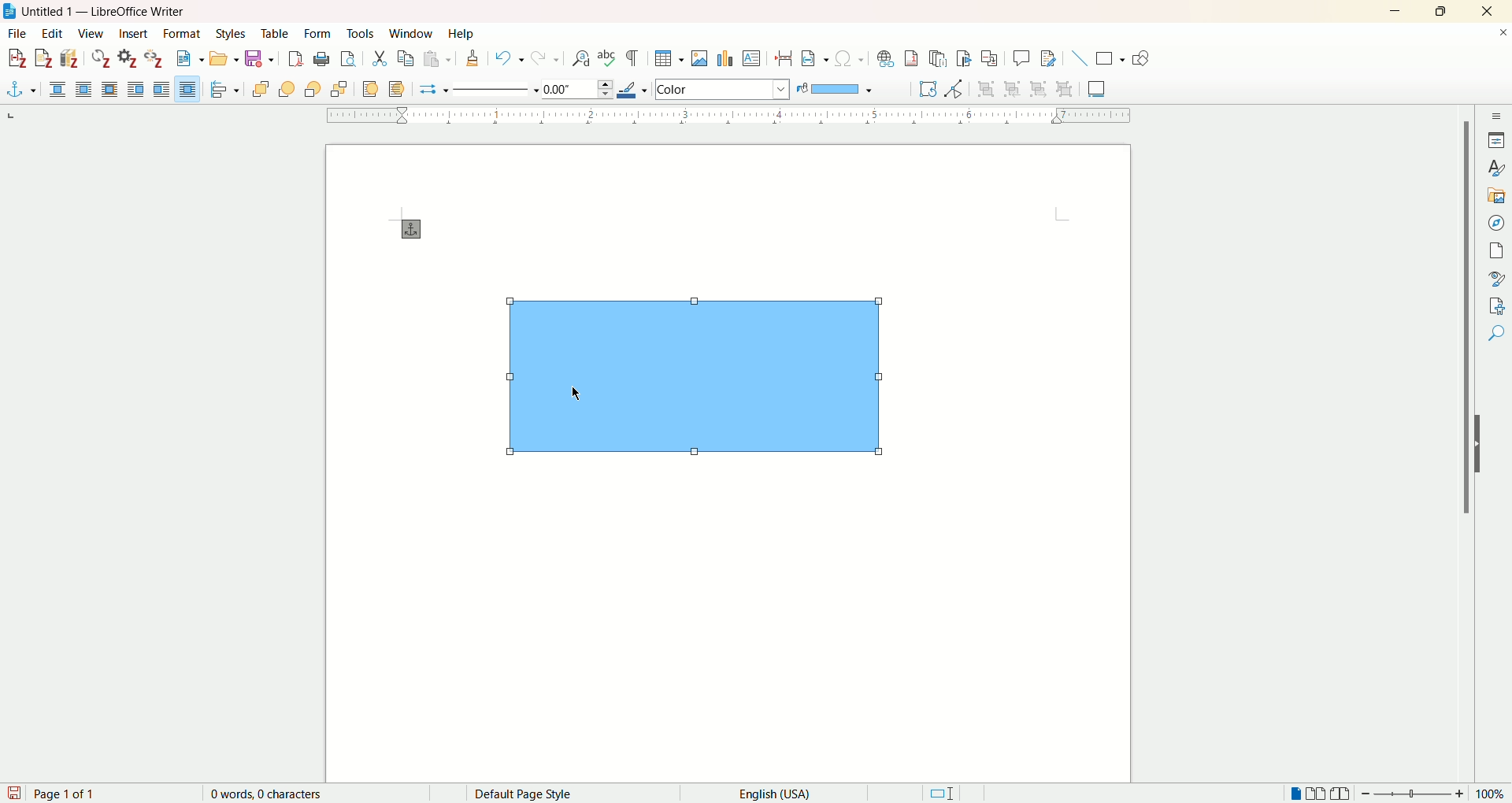 The height and width of the screenshot is (803, 1512). What do you see at coordinates (1316, 792) in the screenshot?
I see `double page view` at bounding box center [1316, 792].